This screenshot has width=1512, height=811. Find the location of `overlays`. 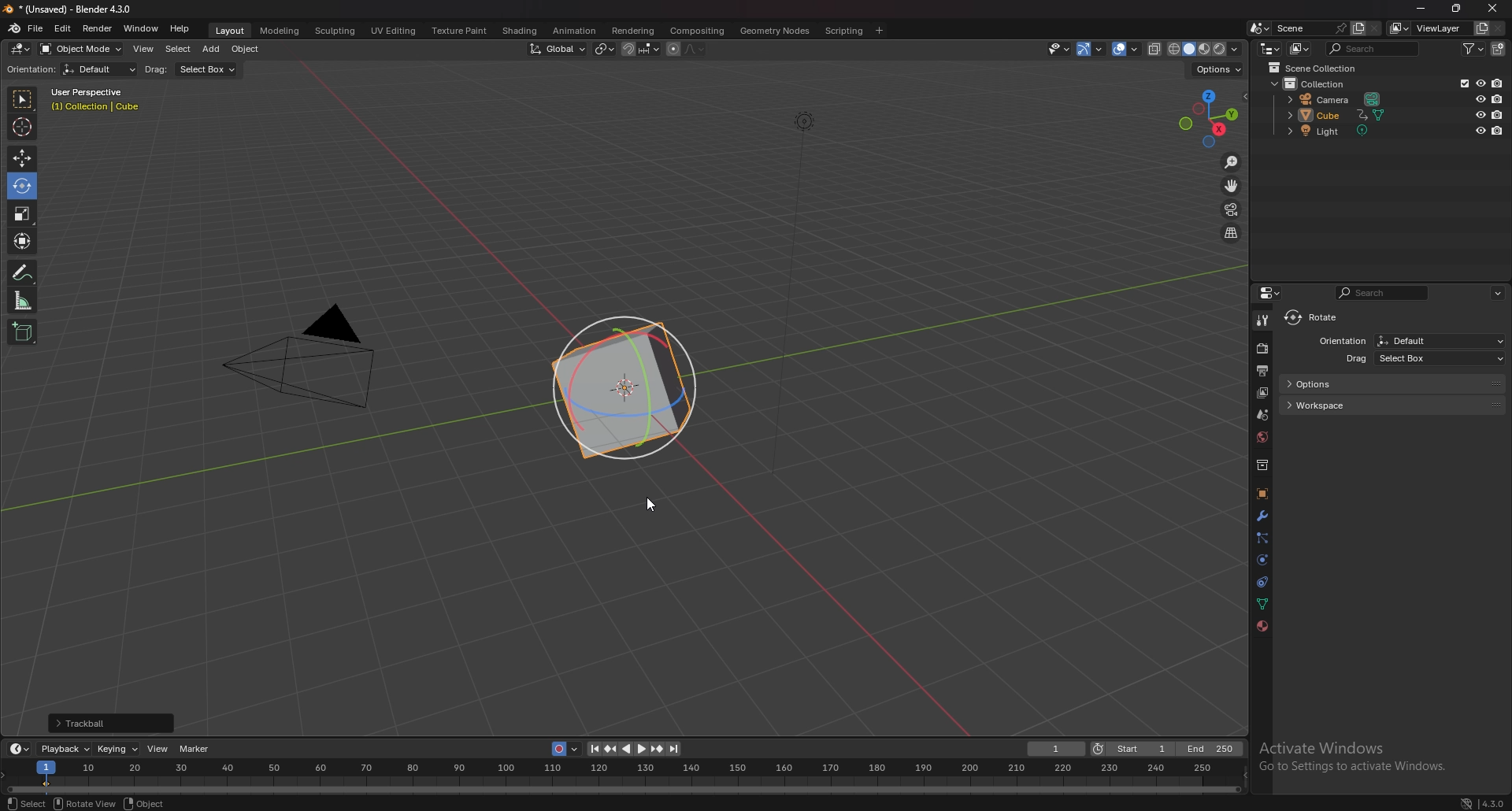

overlays is located at coordinates (1127, 49).